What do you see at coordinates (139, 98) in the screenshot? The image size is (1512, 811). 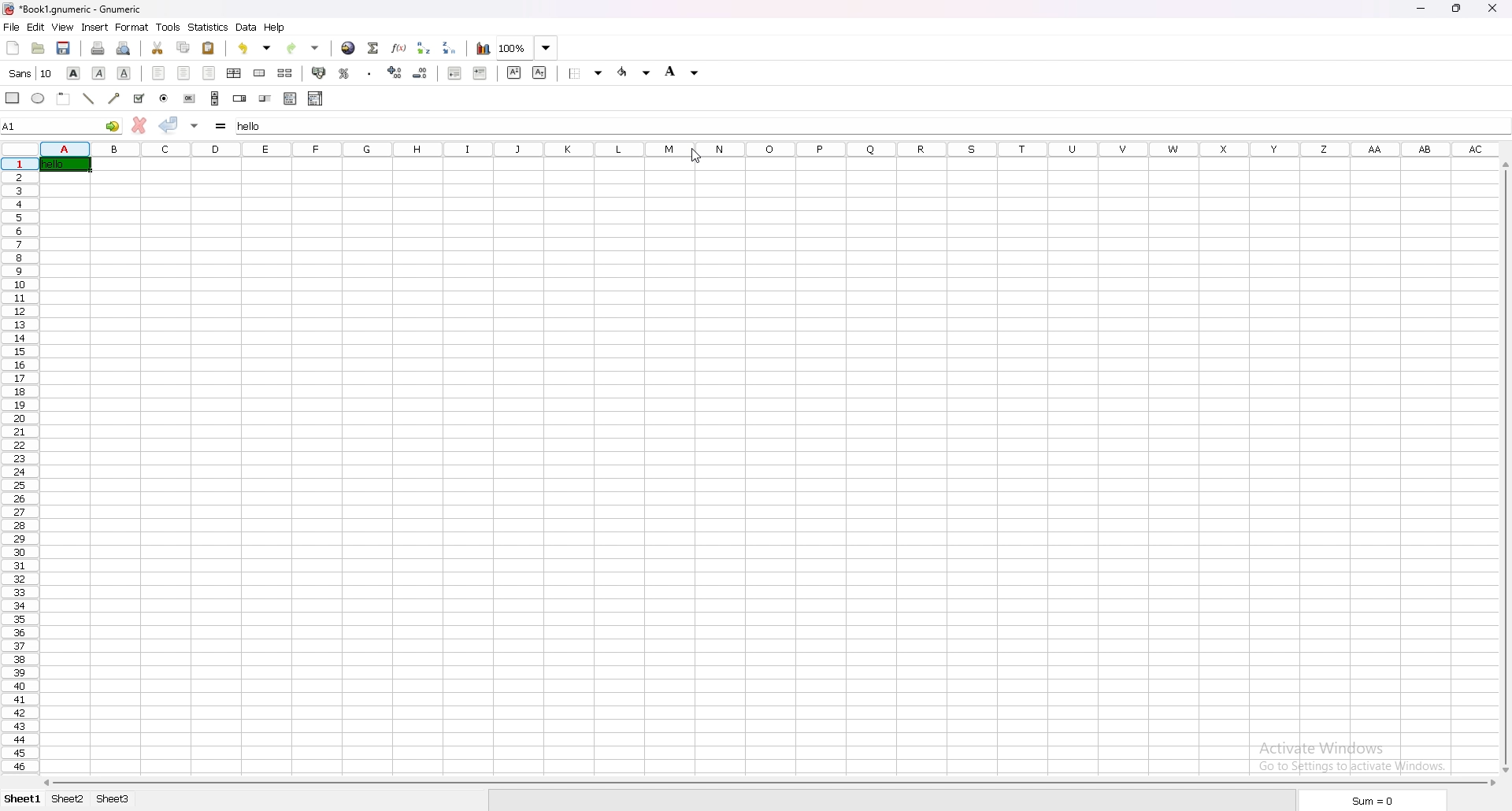 I see `checkbox` at bounding box center [139, 98].